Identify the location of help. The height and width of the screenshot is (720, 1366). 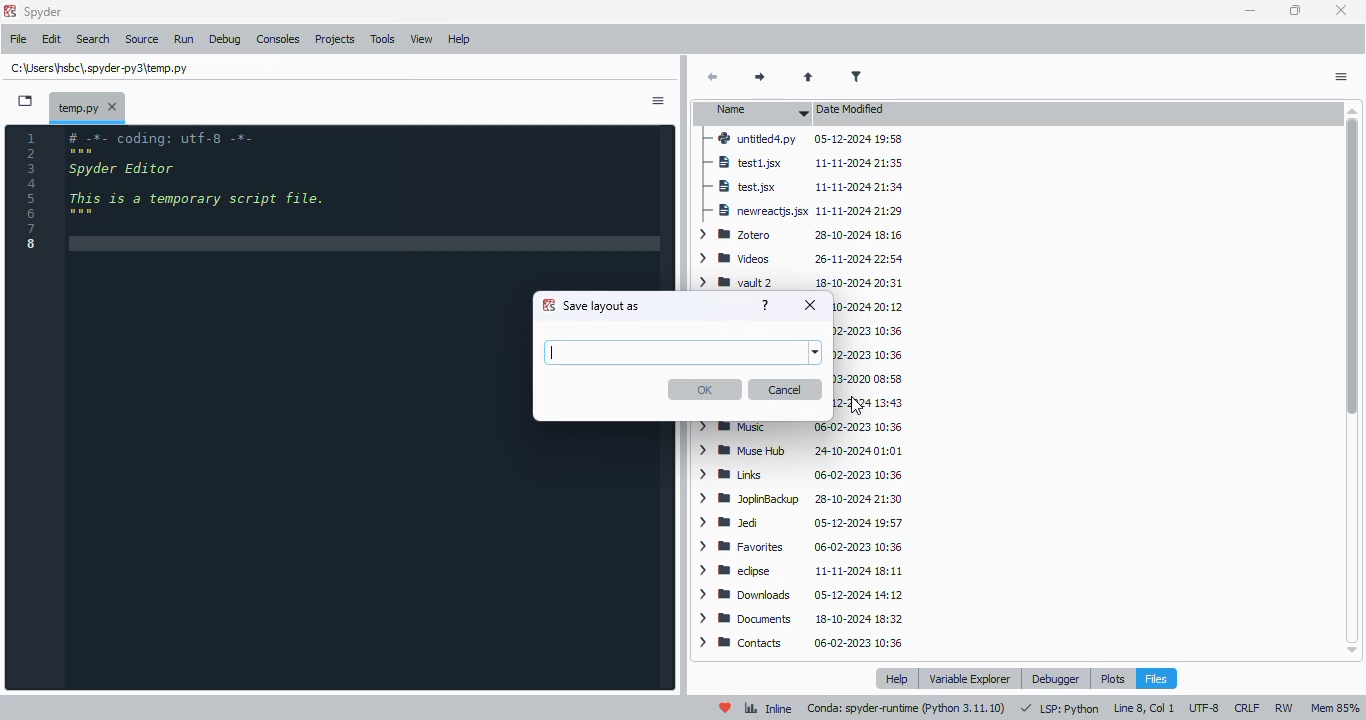
(767, 304).